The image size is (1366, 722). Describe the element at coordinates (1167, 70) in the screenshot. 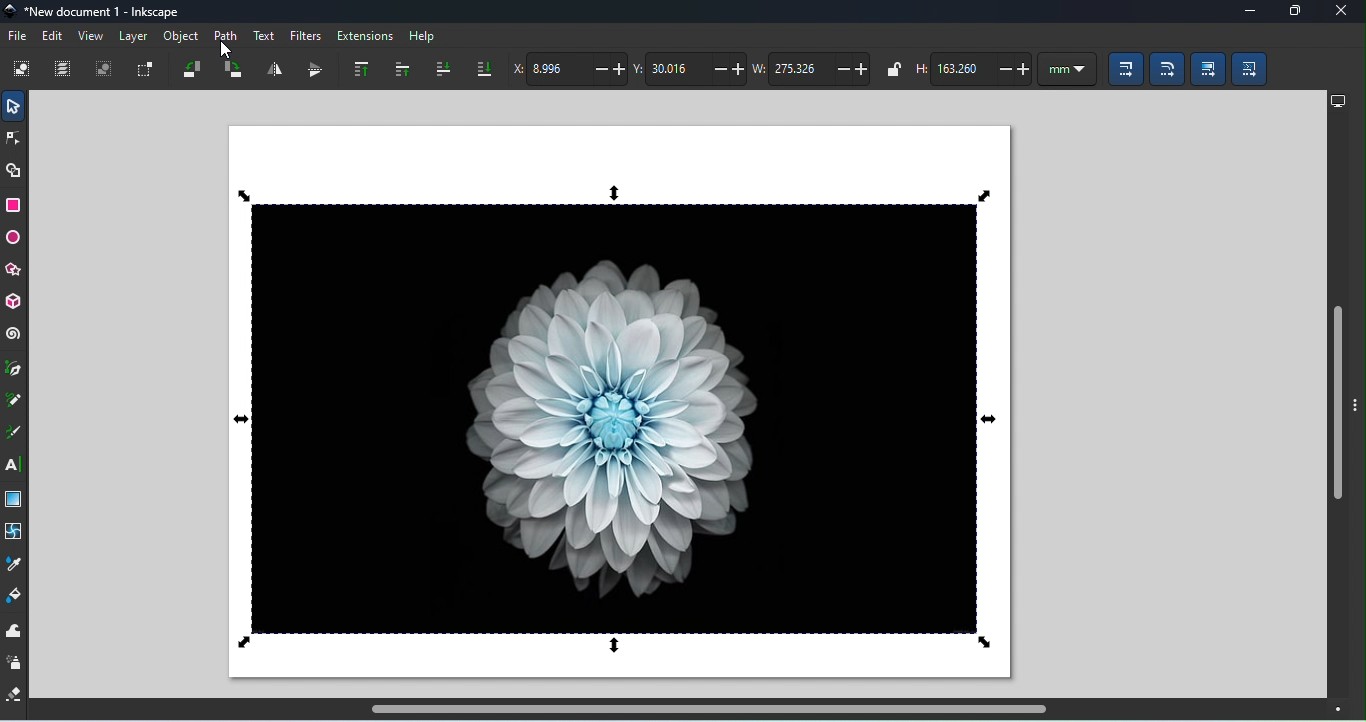

I see `When scaling rectangles, scale the radii of the rounded corners` at that location.